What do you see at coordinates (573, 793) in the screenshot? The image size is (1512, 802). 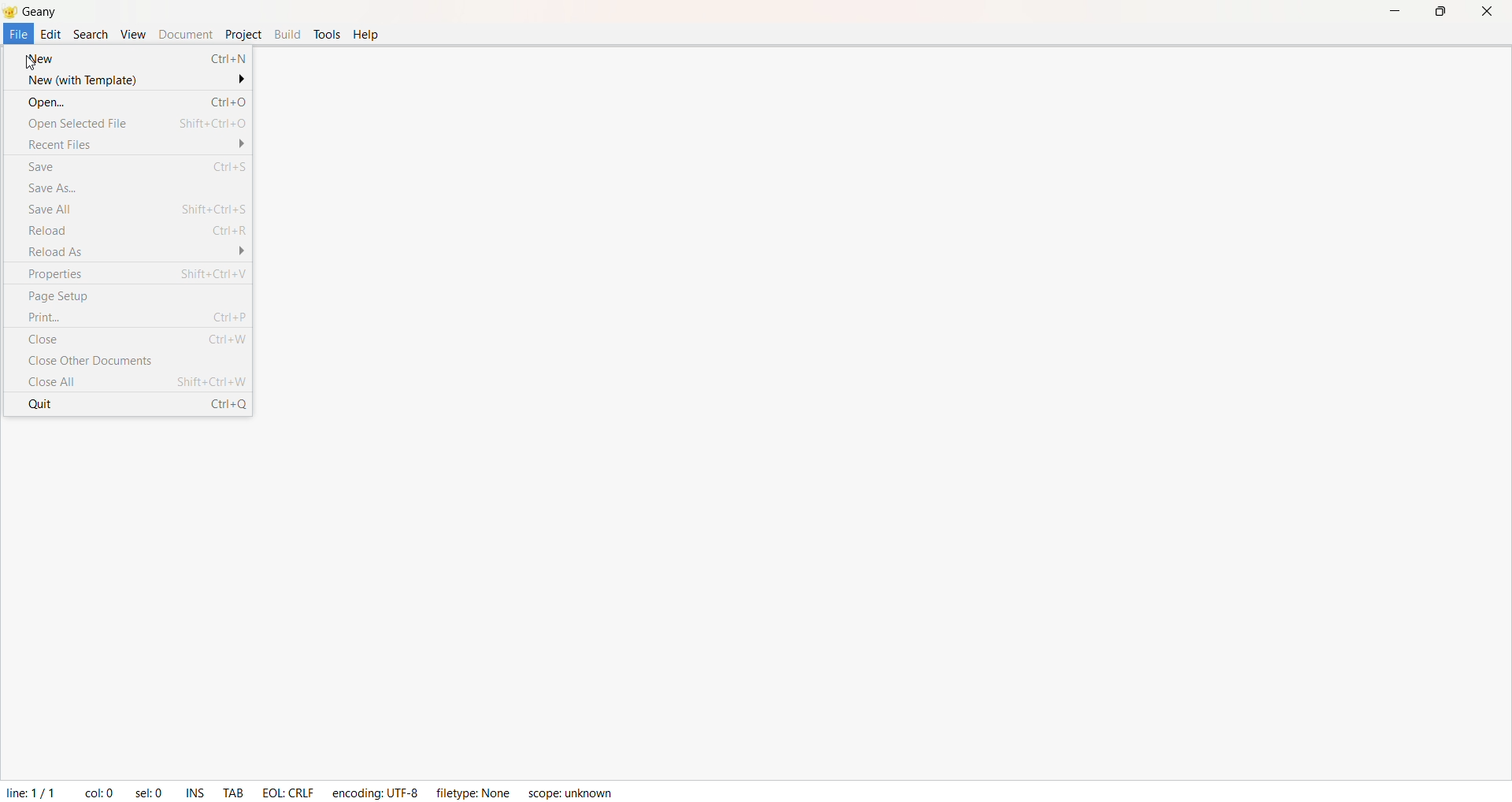 I see `scope: unknown` at bounding box center [573, 793].